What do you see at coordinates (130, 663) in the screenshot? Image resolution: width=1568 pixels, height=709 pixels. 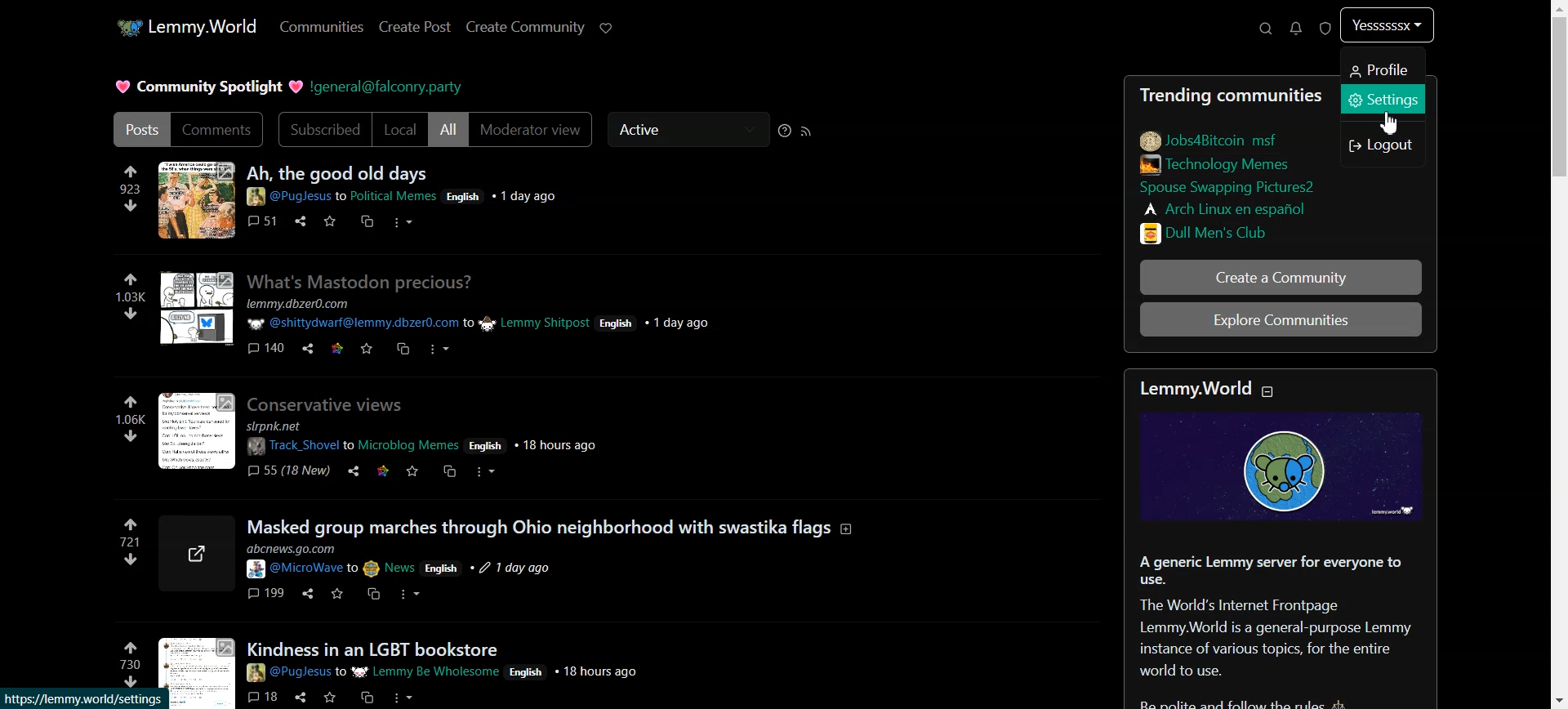 I see `numbers` at bounding box center [130, 663].